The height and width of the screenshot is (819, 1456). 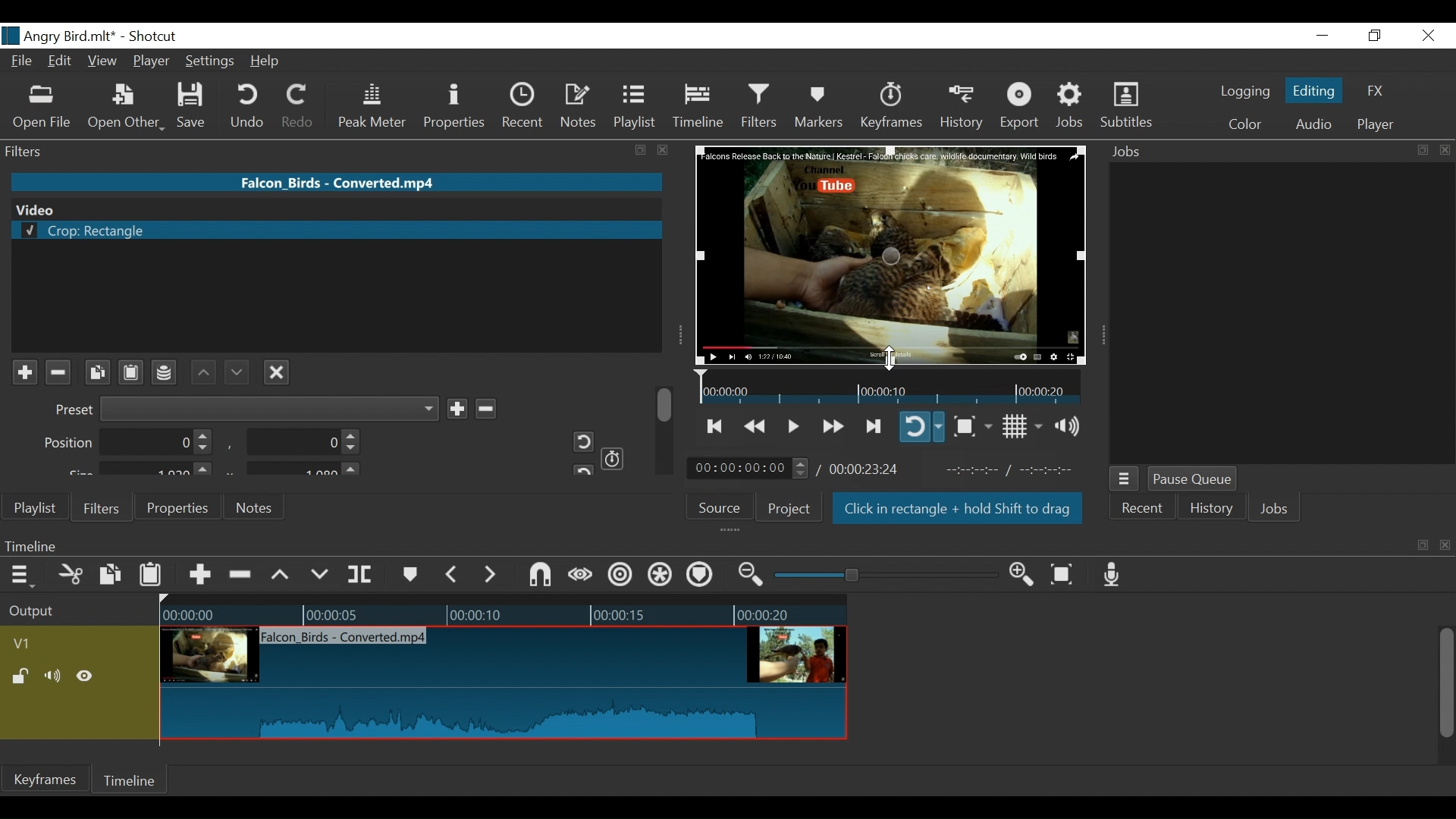 What do you see at coordinates (85, 679) in the screenshot?
I see `Hide` at bounding box center [85, 679].